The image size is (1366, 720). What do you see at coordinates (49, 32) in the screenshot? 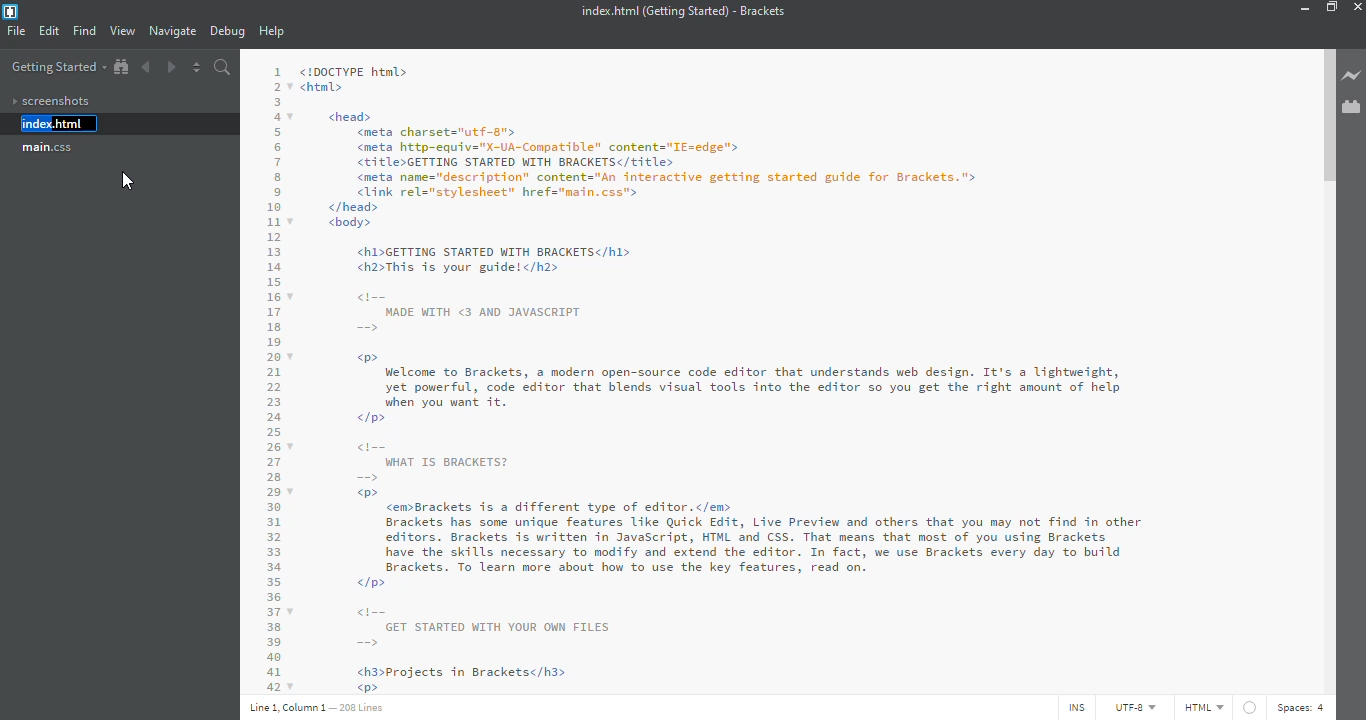
I see `edit` at bounding box center [49, 32].